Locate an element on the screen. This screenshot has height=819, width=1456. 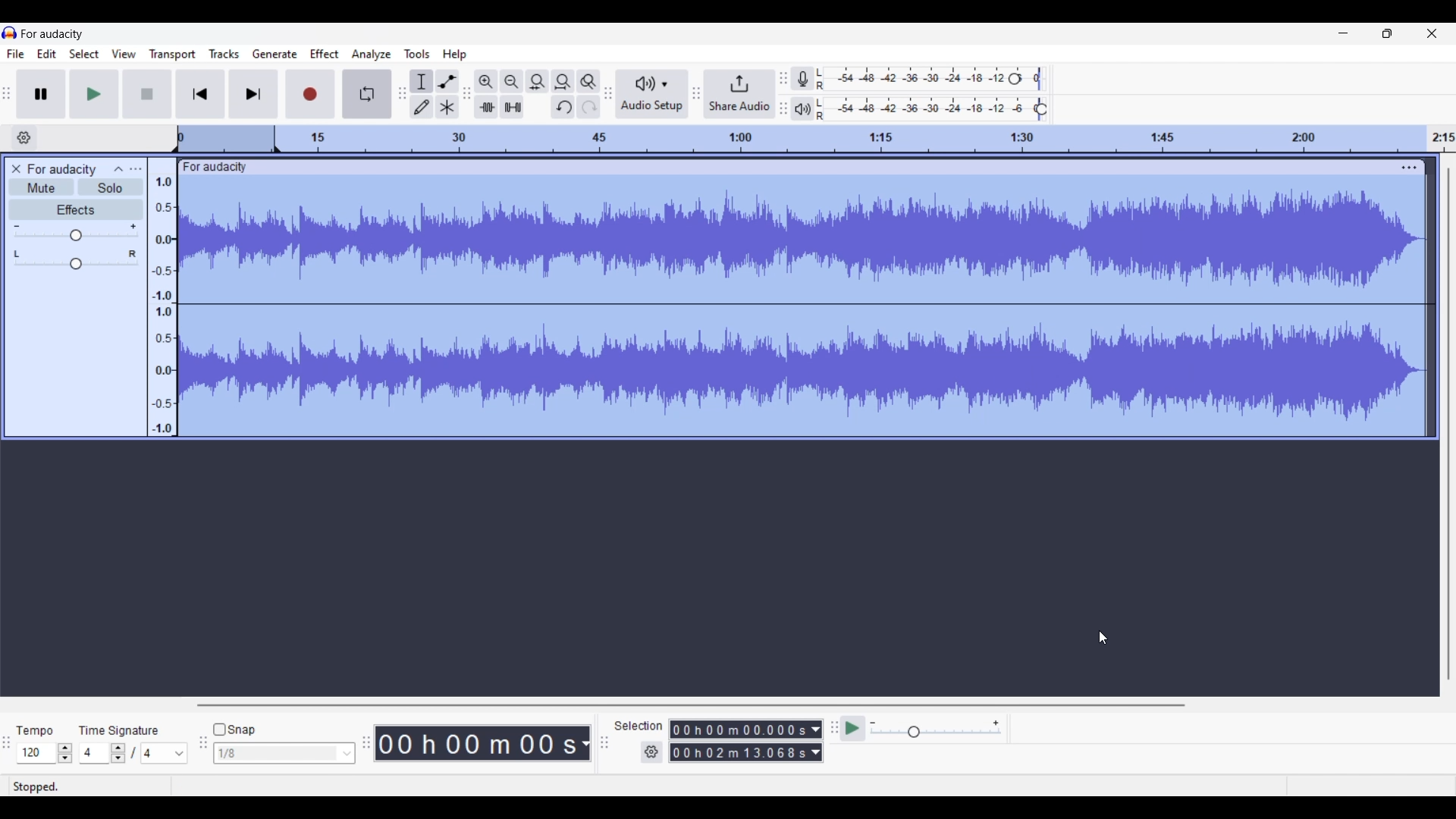
Pan left is located at coordinates (17, 254).